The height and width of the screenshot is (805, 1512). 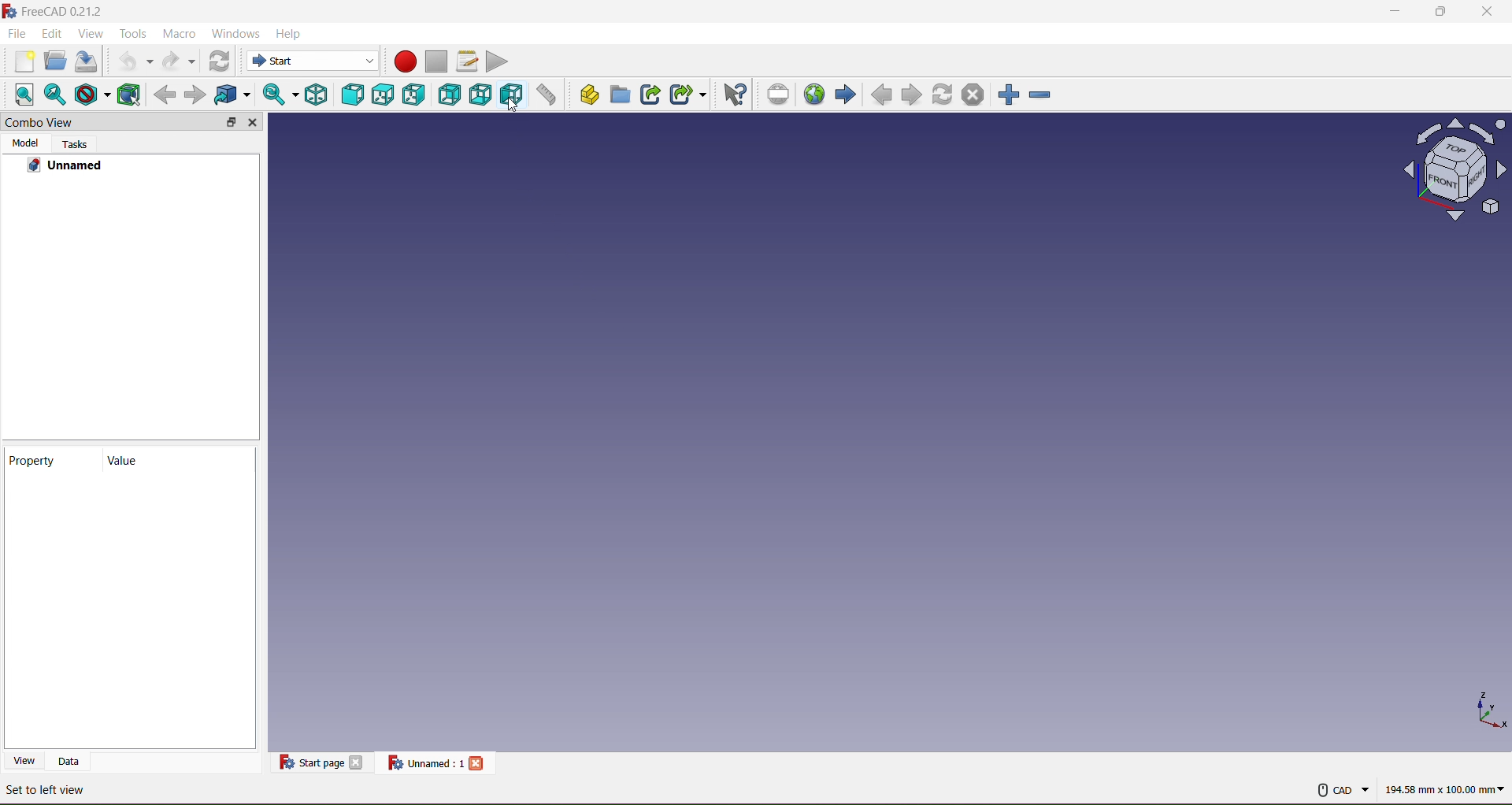 I want to click on Start, so click(x=293, y=60).